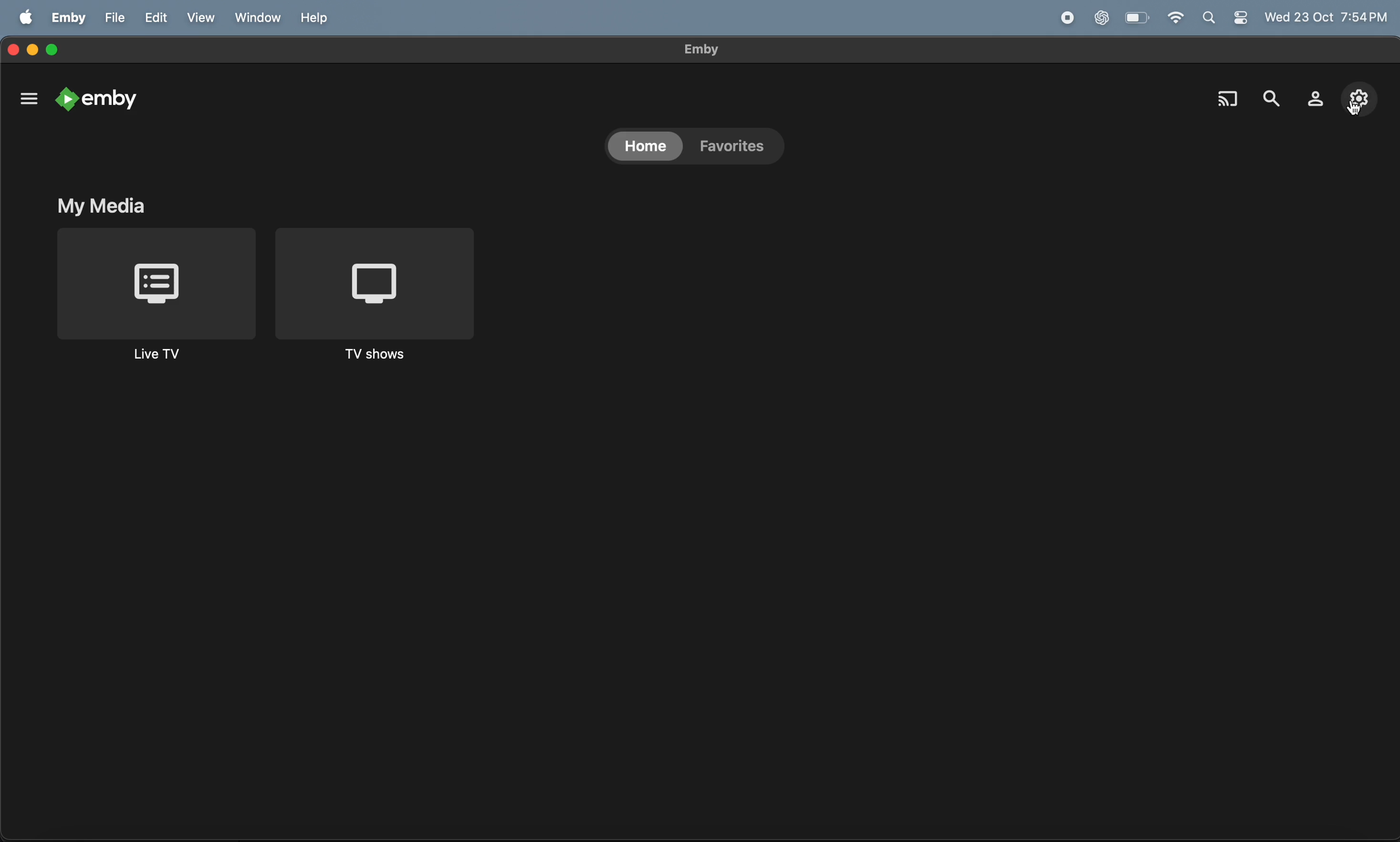  Describe the element at coordinates (1225, 17) in the screenshot. I see `apple widgets` at that location.